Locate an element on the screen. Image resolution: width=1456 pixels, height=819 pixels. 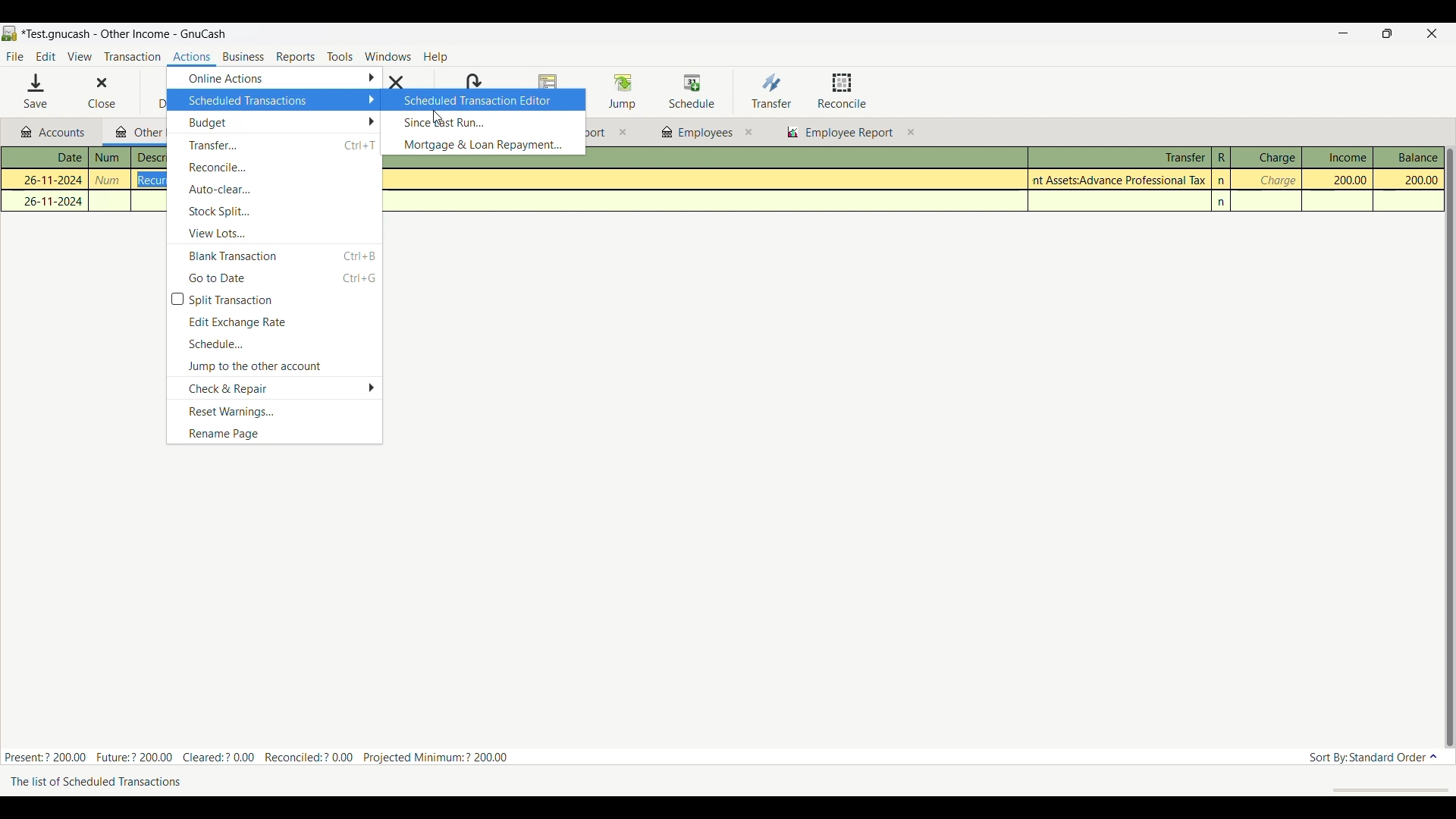
Business menu is located at coordinates (243, 58).